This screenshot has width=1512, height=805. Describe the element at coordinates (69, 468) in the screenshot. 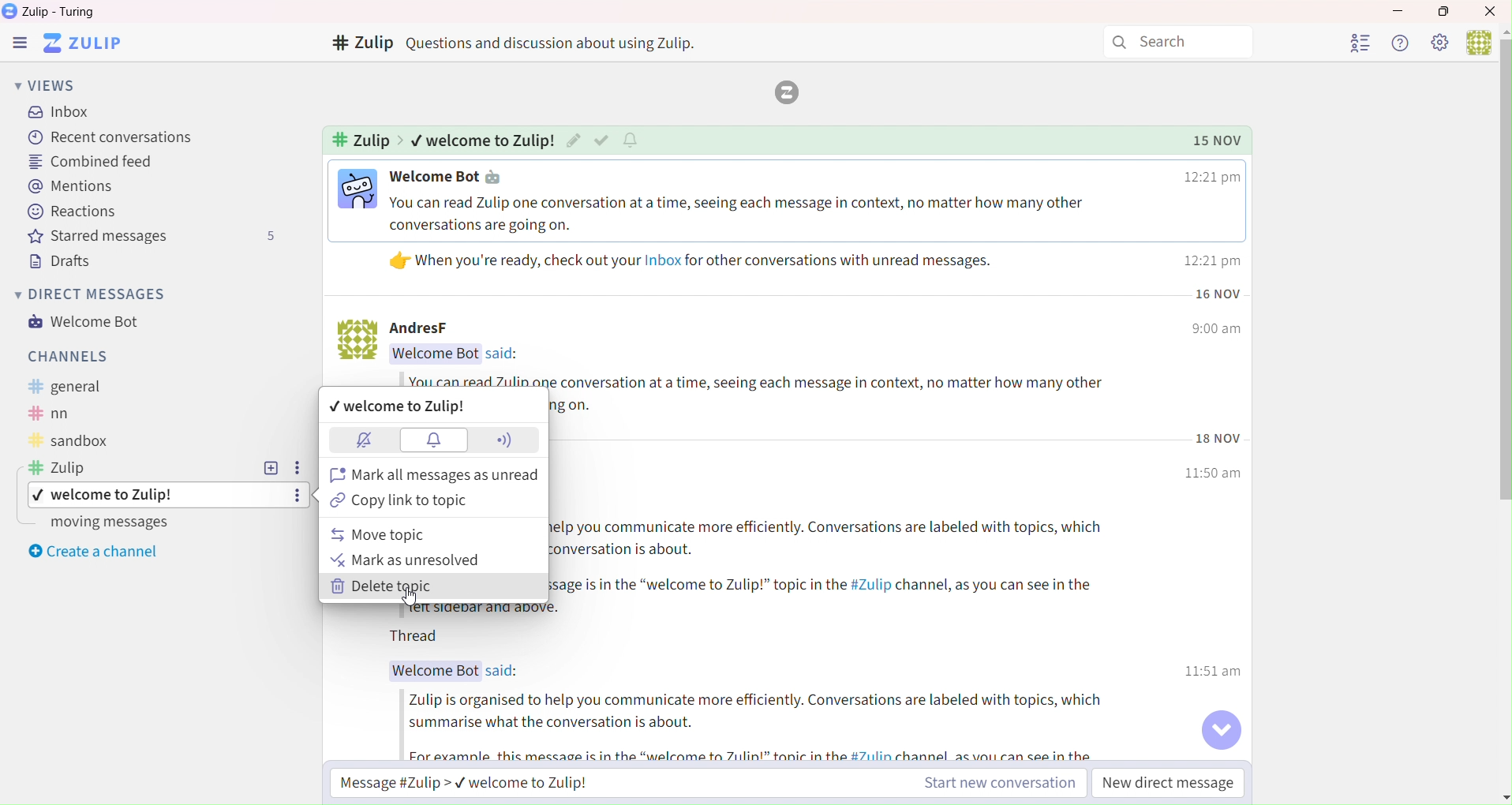

I see `Text` at that location.